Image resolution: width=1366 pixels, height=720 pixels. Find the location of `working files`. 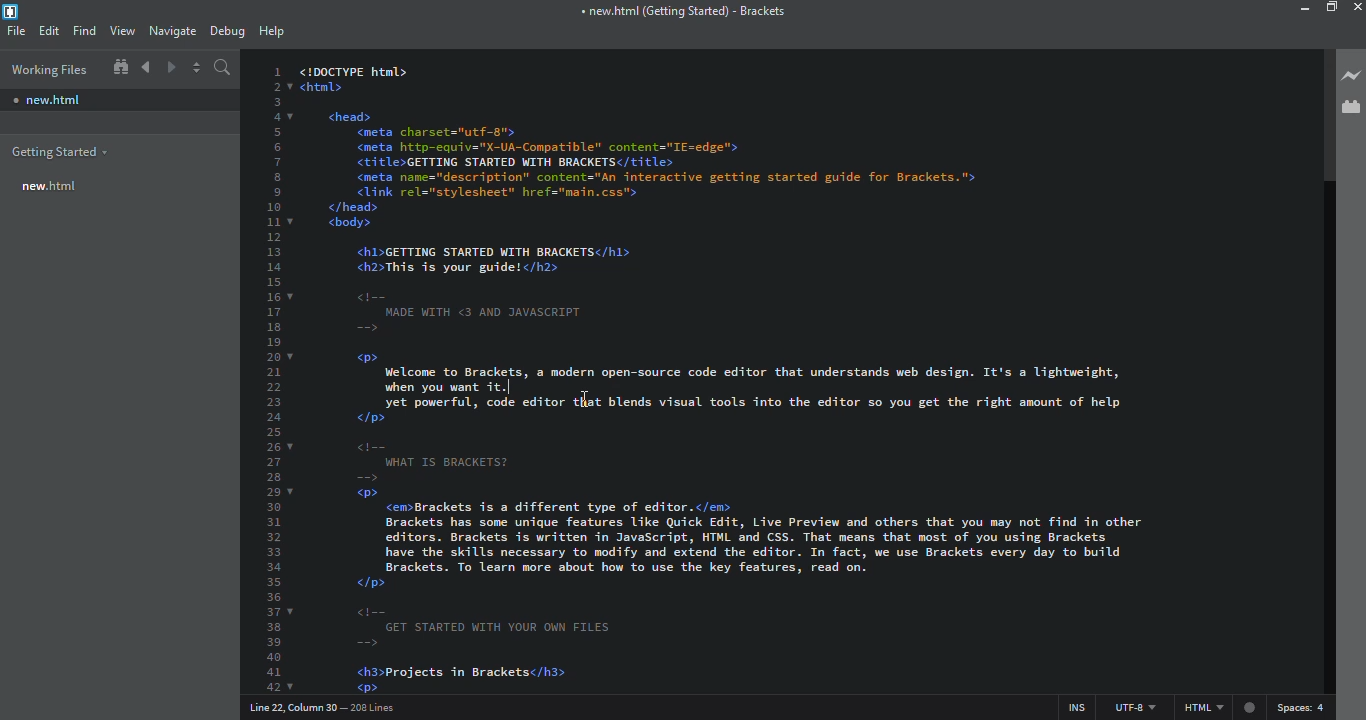

working files is located at coordinates (52, 70).